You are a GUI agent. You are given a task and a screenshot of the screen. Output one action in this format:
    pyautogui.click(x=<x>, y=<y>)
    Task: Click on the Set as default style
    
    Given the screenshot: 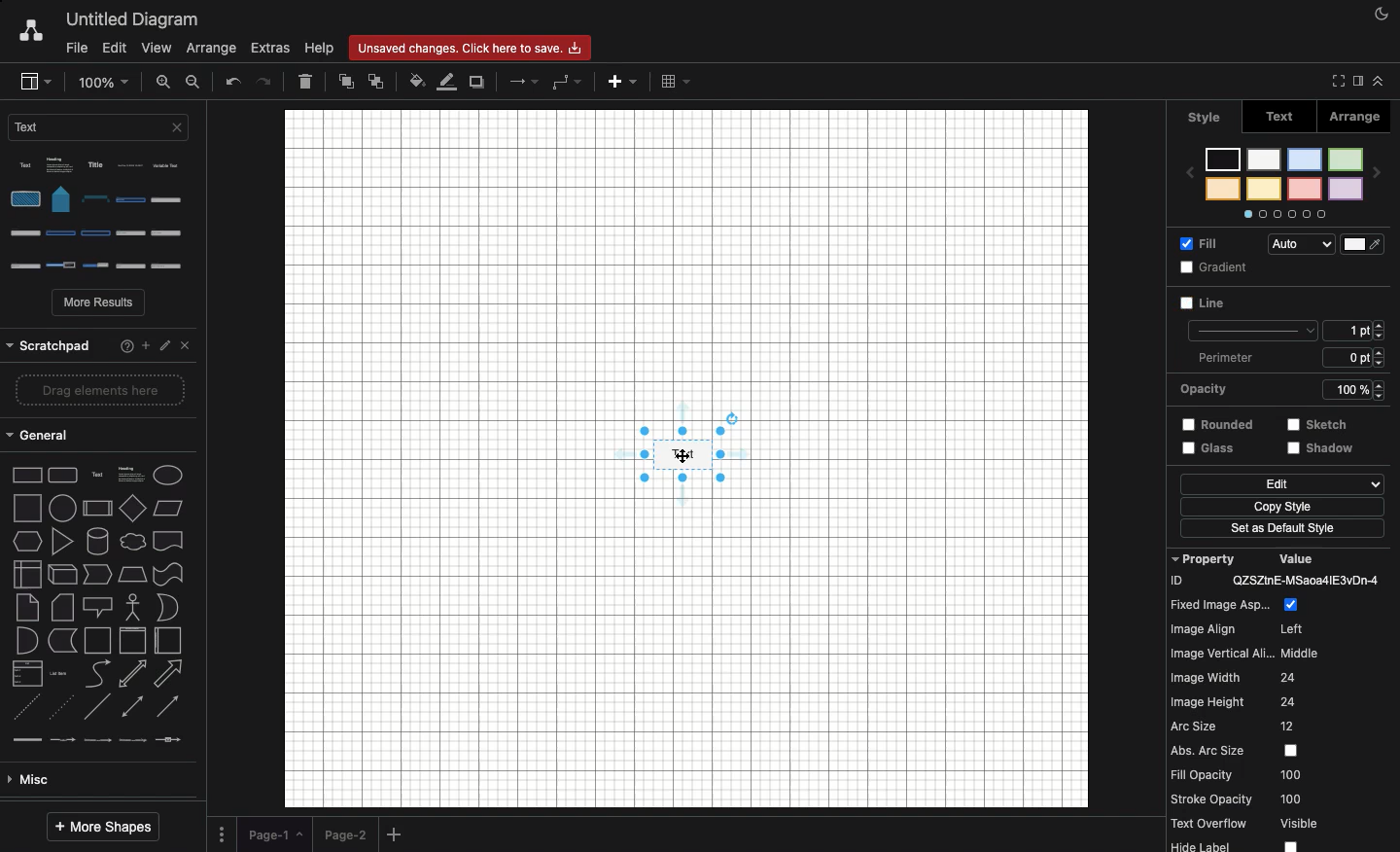 What is the action you would take?
    pyautogui.click(x=1283, y=505)
    